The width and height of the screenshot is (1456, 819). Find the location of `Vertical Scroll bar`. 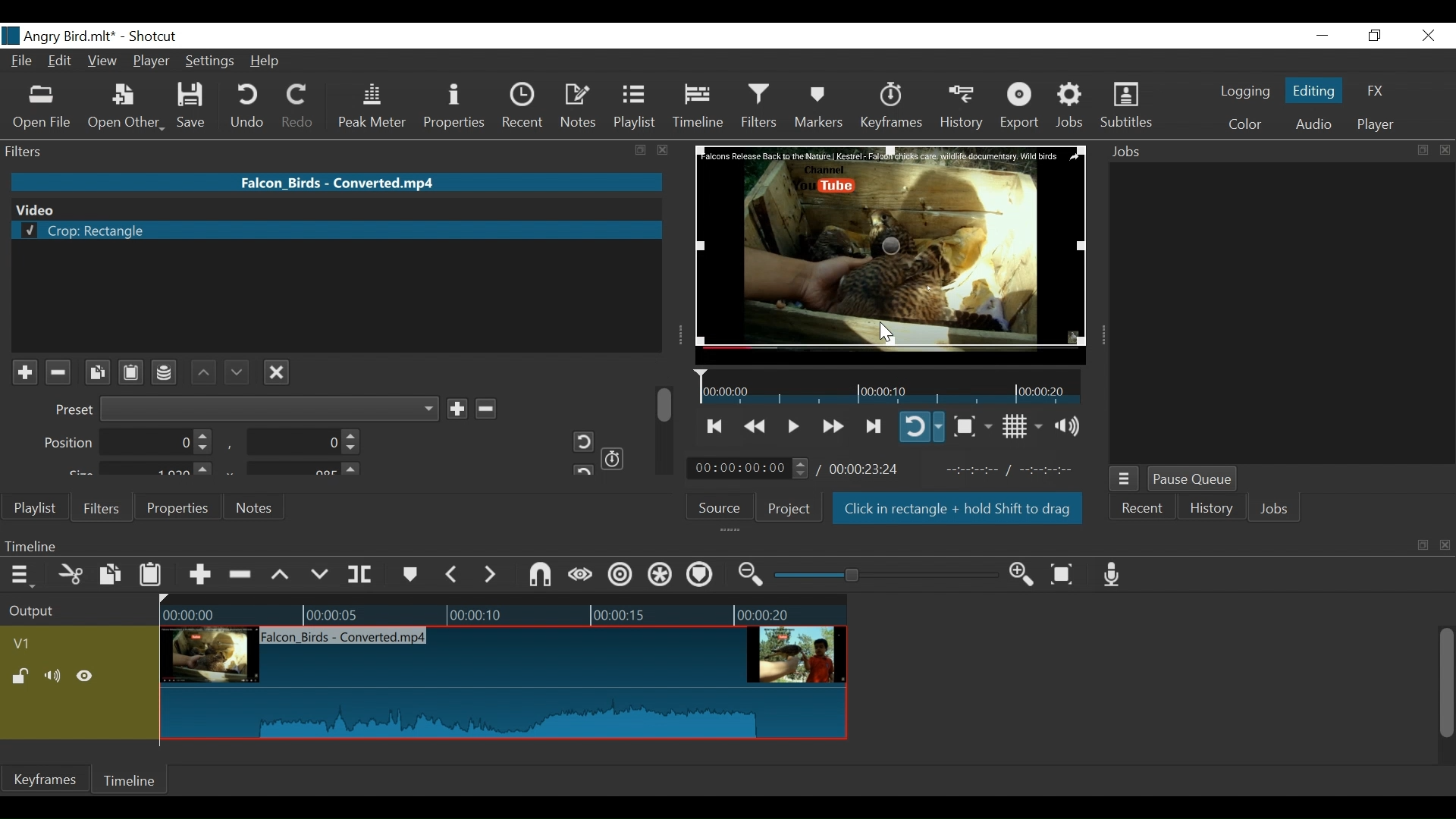

Vertical Scroll bar is located at coordinates (1445, 685).